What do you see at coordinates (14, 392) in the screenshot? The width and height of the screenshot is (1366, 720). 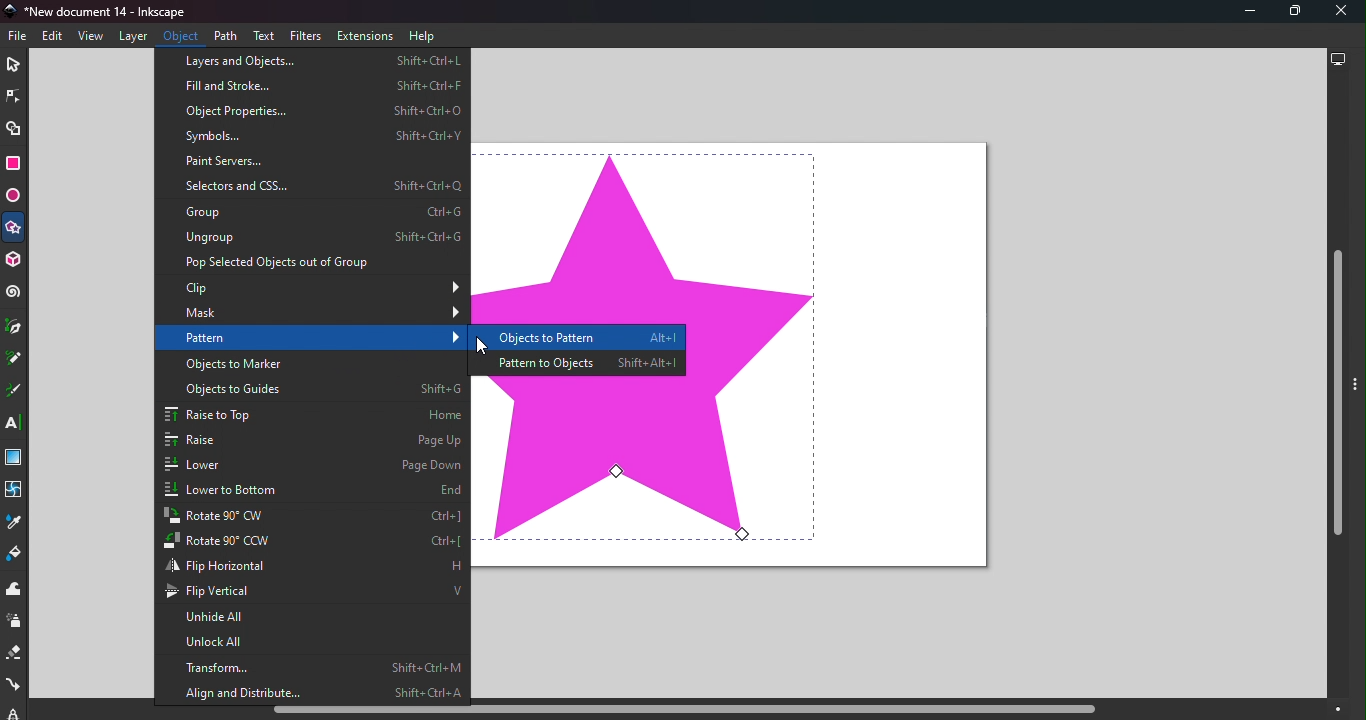 I see `Calligraphy tool` at bounding box center [14, 392].